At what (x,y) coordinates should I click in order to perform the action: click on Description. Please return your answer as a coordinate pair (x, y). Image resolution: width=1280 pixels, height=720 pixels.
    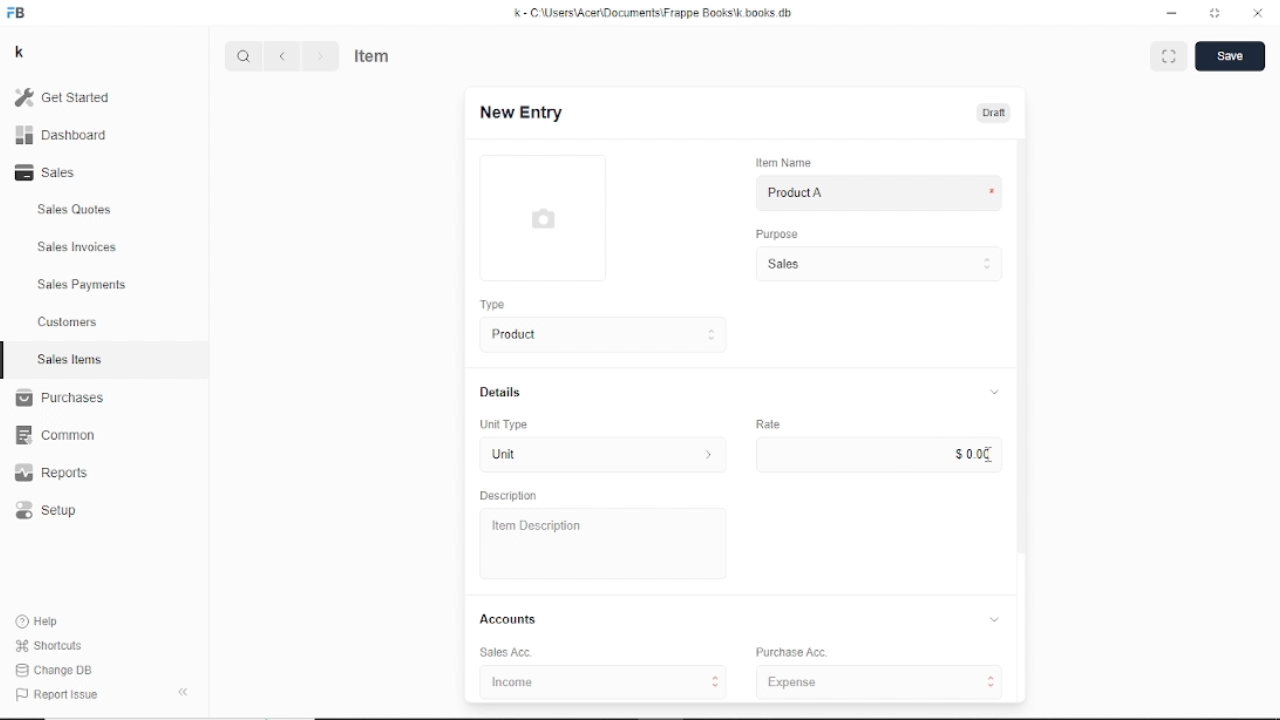
    Looking at the image, I should click on (509, 496).